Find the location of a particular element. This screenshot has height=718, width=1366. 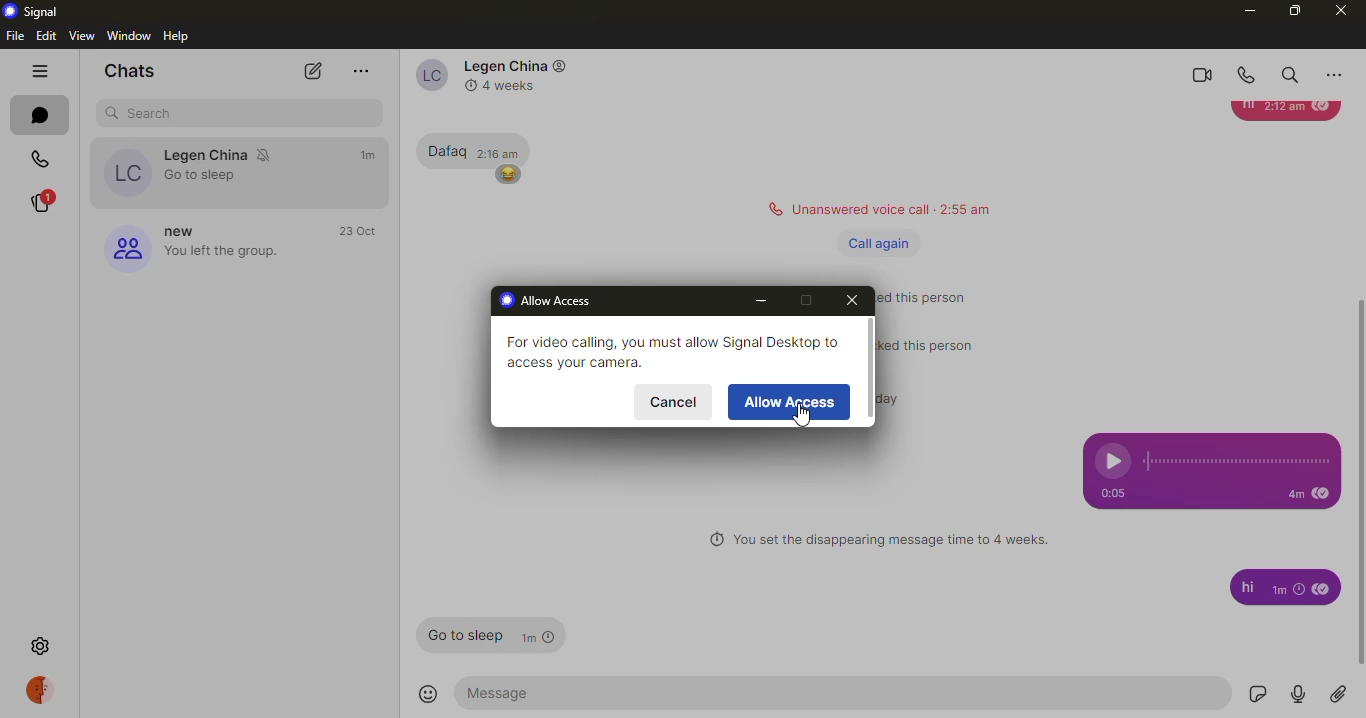

maximize is located at coordinates (804, 301).